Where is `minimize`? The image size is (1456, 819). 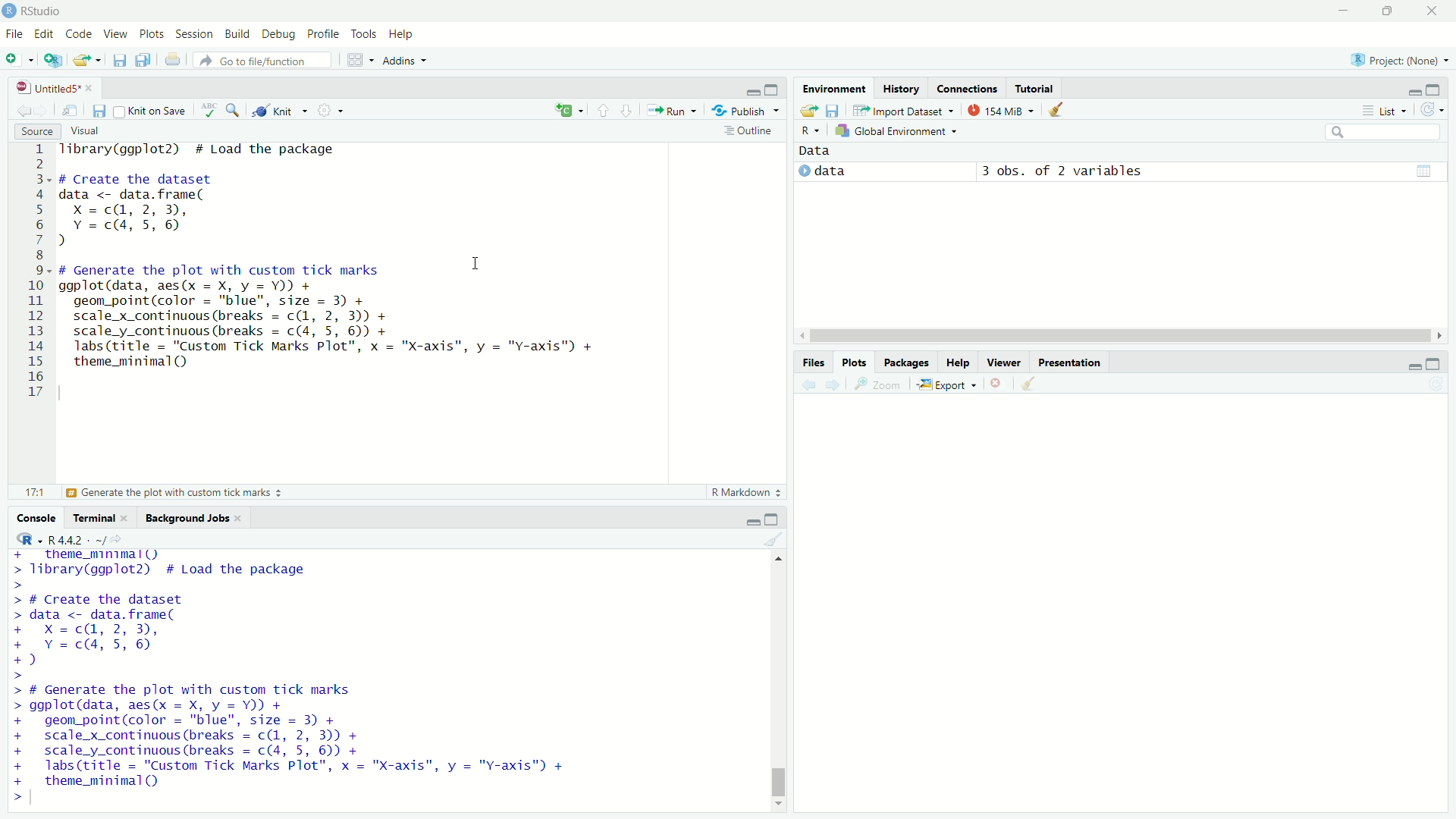 minimize is located at coordinates (751, 92).